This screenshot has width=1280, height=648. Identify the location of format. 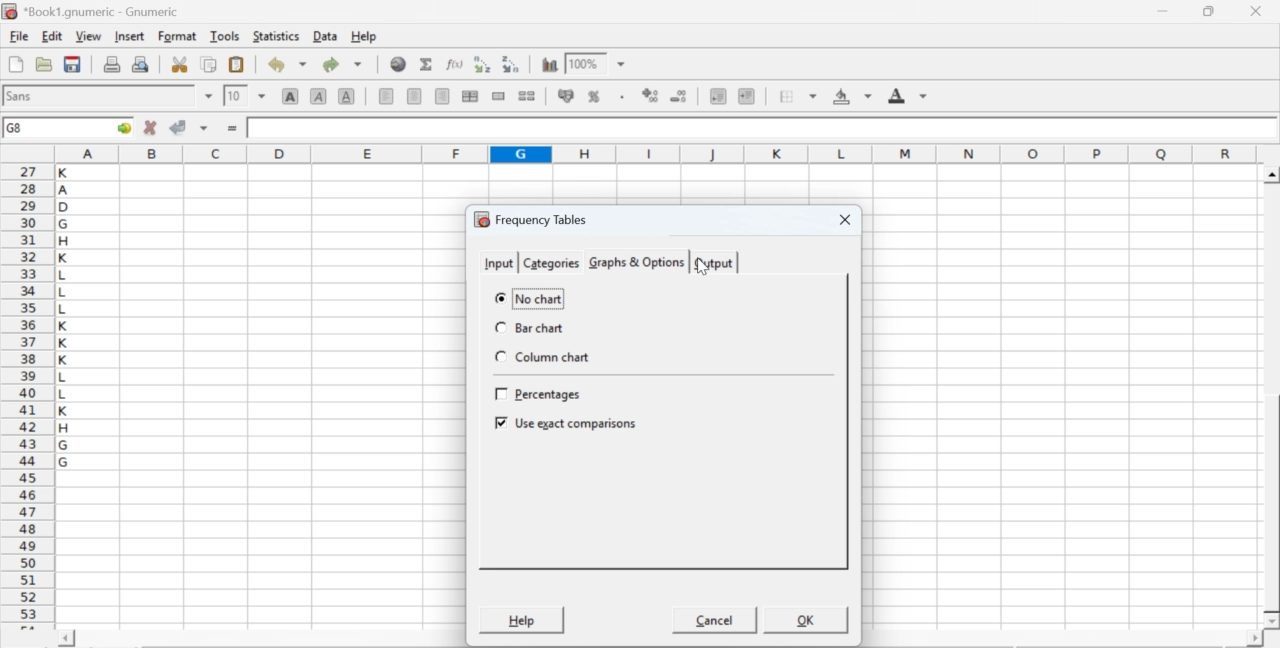
(178, 36).